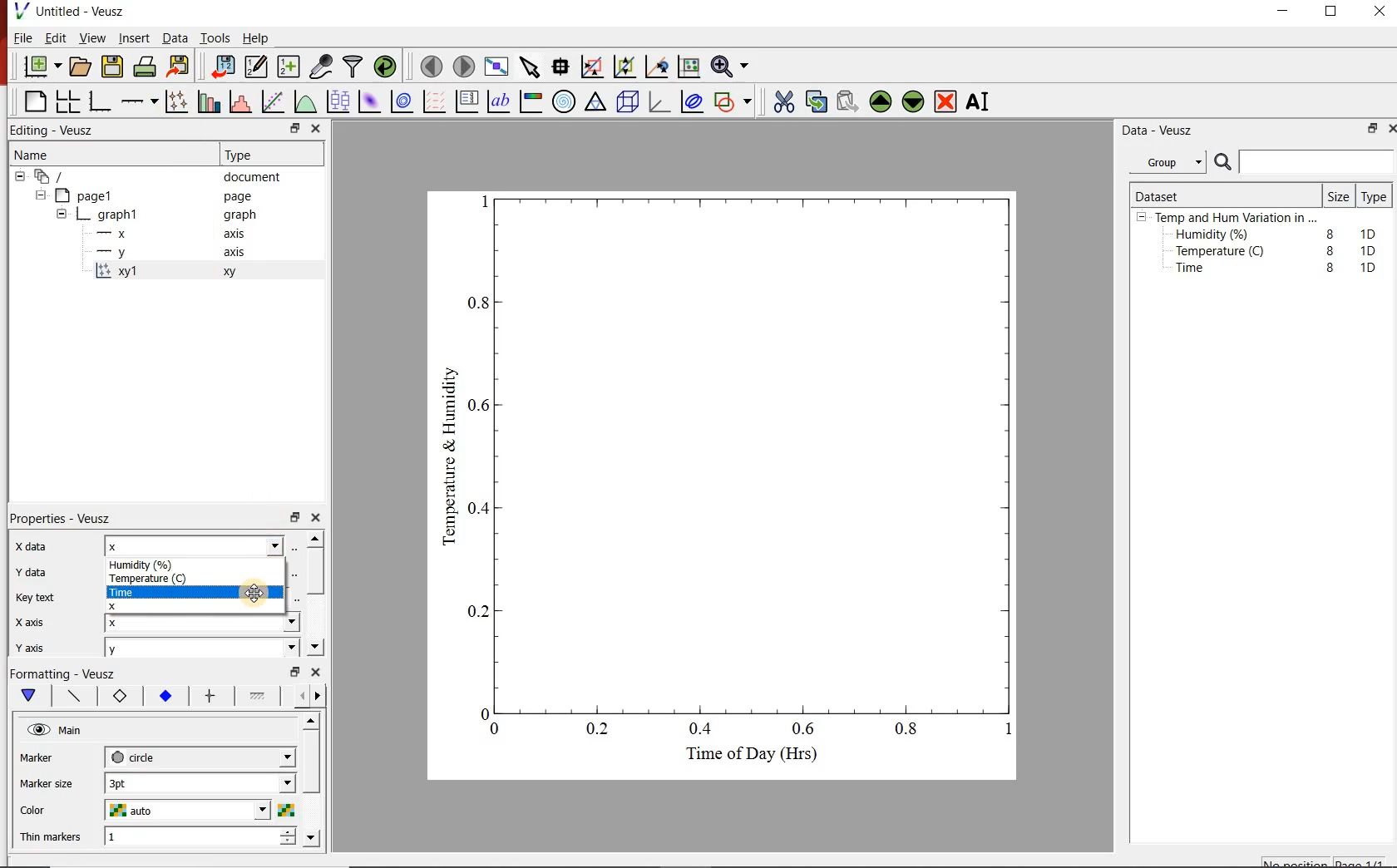 The width and height of the screenshot is (1397, 868). What do you see at coordinates (74, 11) in the screenshot?
I see `Untitled - Veusz` at bounding box center [74, 11].